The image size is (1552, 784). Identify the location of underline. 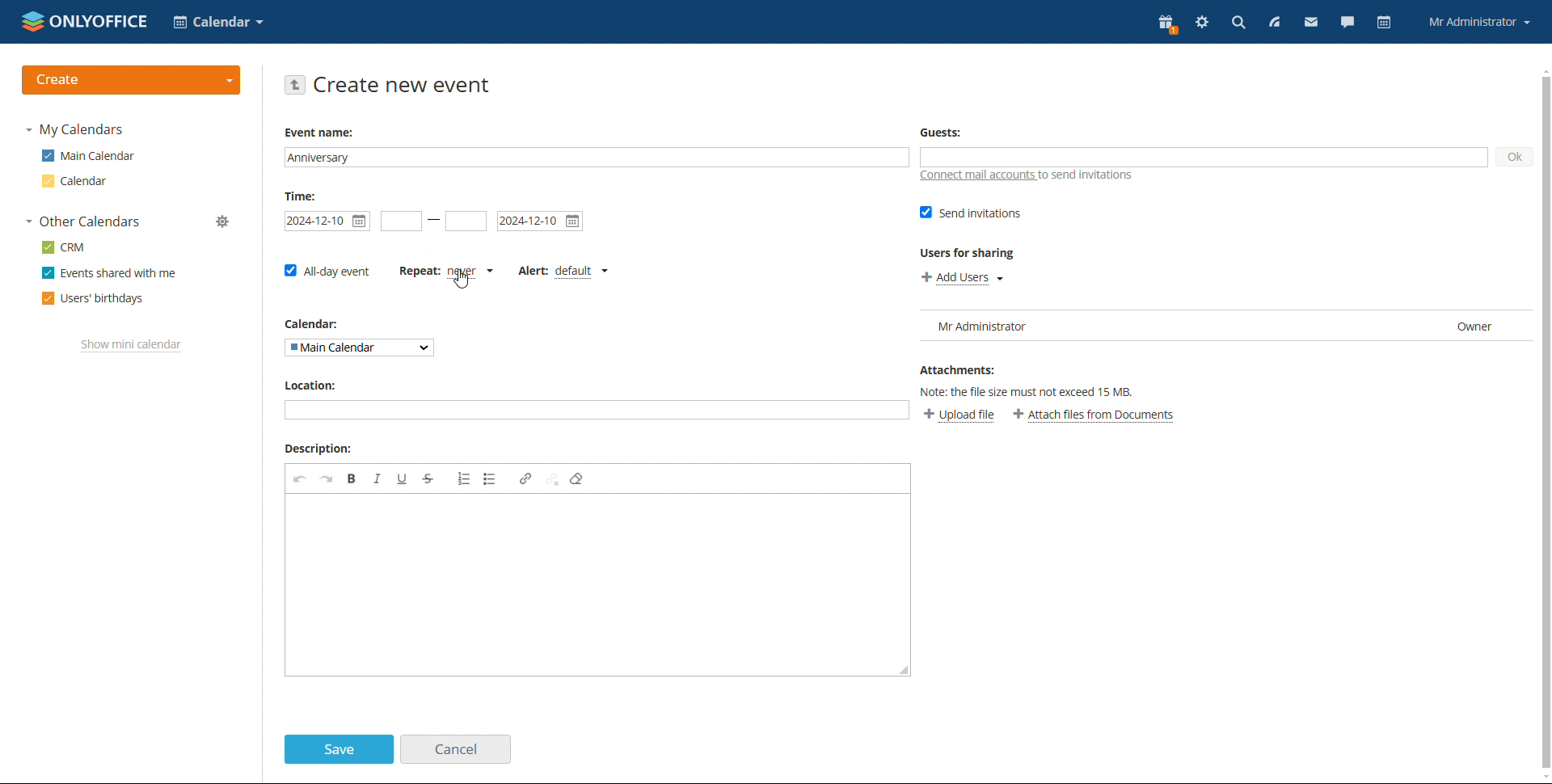
(402, 478).